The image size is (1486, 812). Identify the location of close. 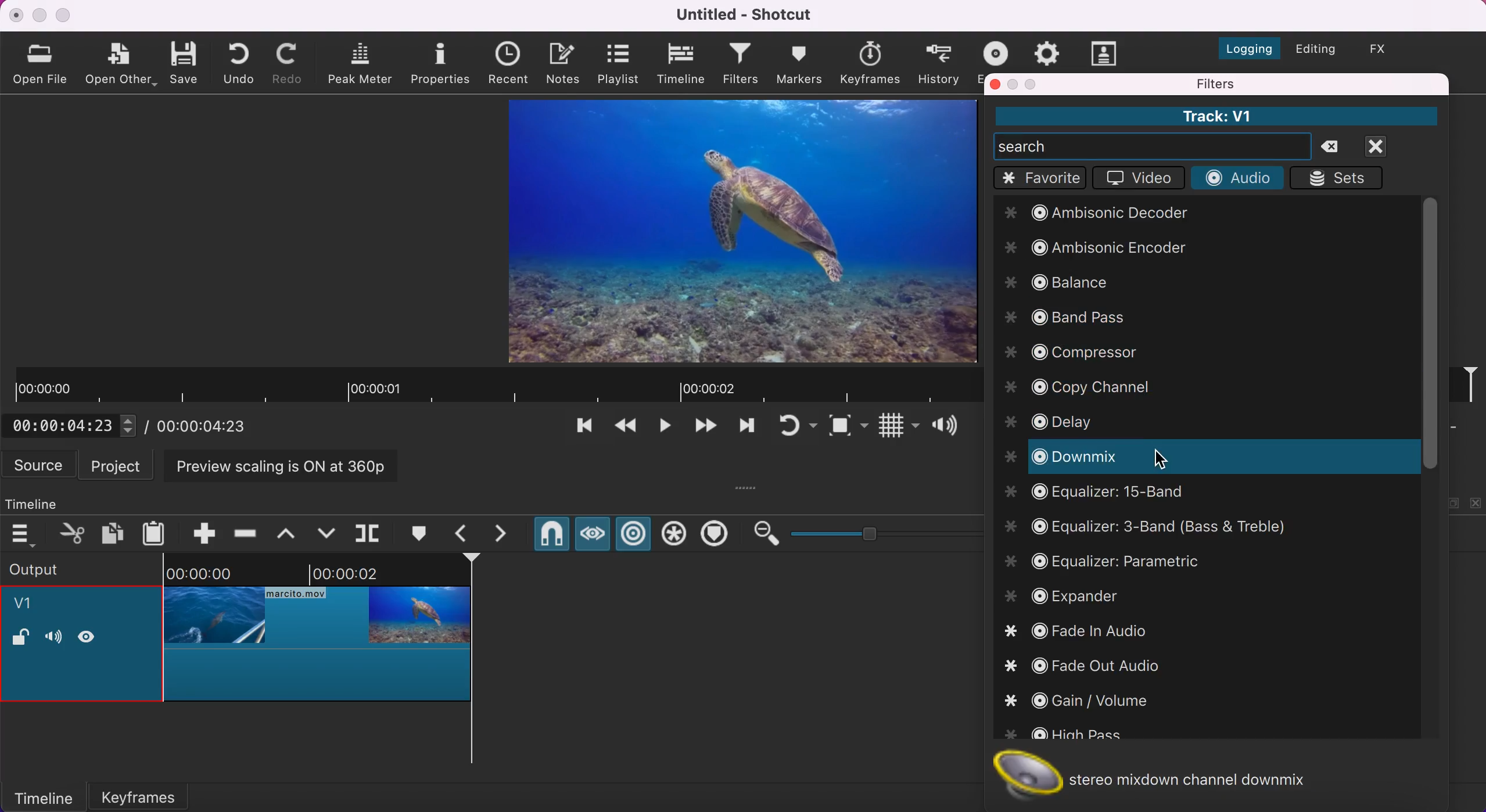
(17, 15).